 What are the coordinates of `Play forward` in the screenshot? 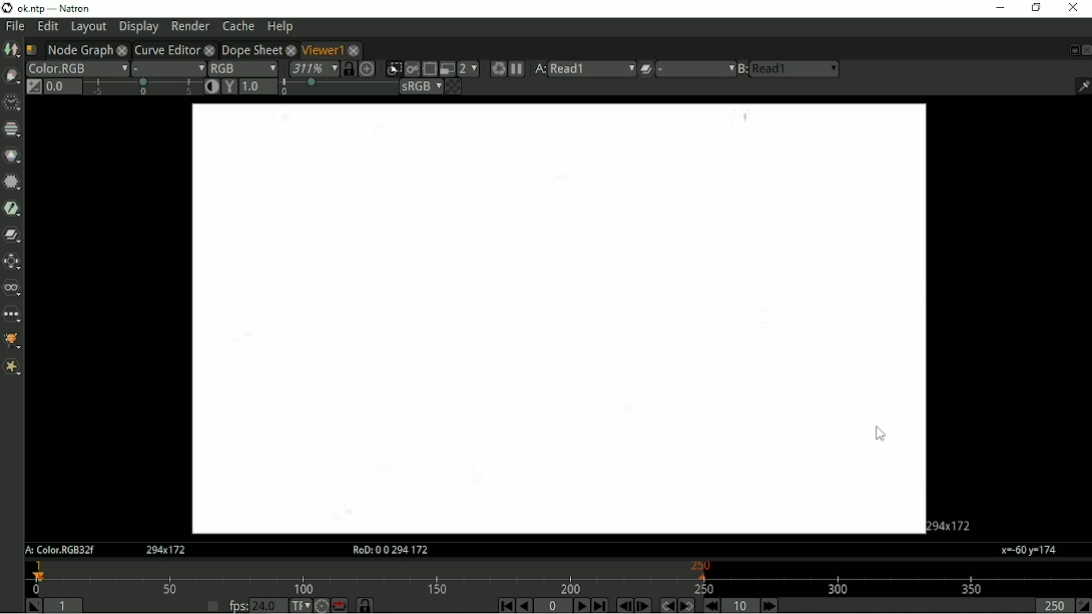 It's located at (581, 605).